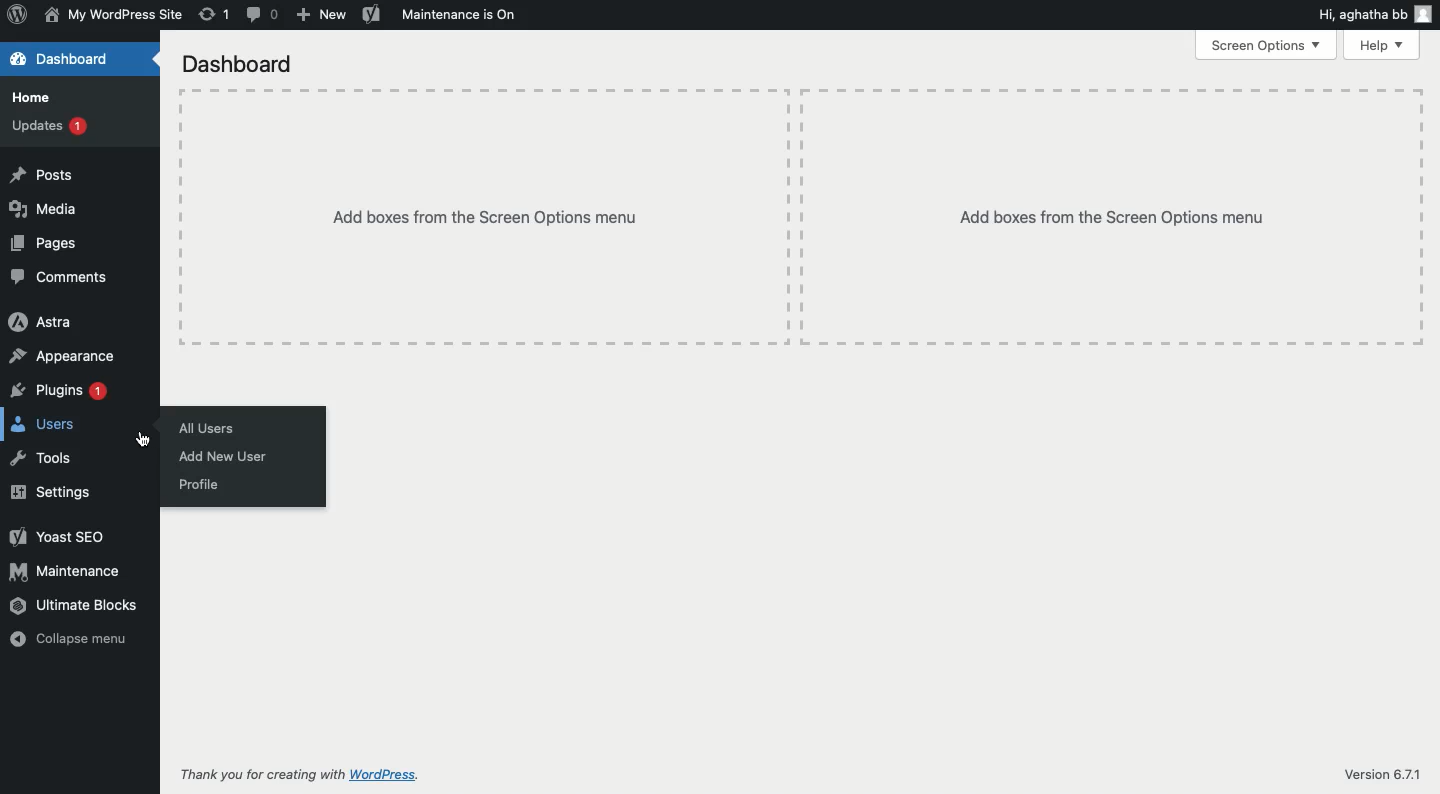  Describe the element at coordinates (45, 245) in the screenshot. I see `Pages` at that location.